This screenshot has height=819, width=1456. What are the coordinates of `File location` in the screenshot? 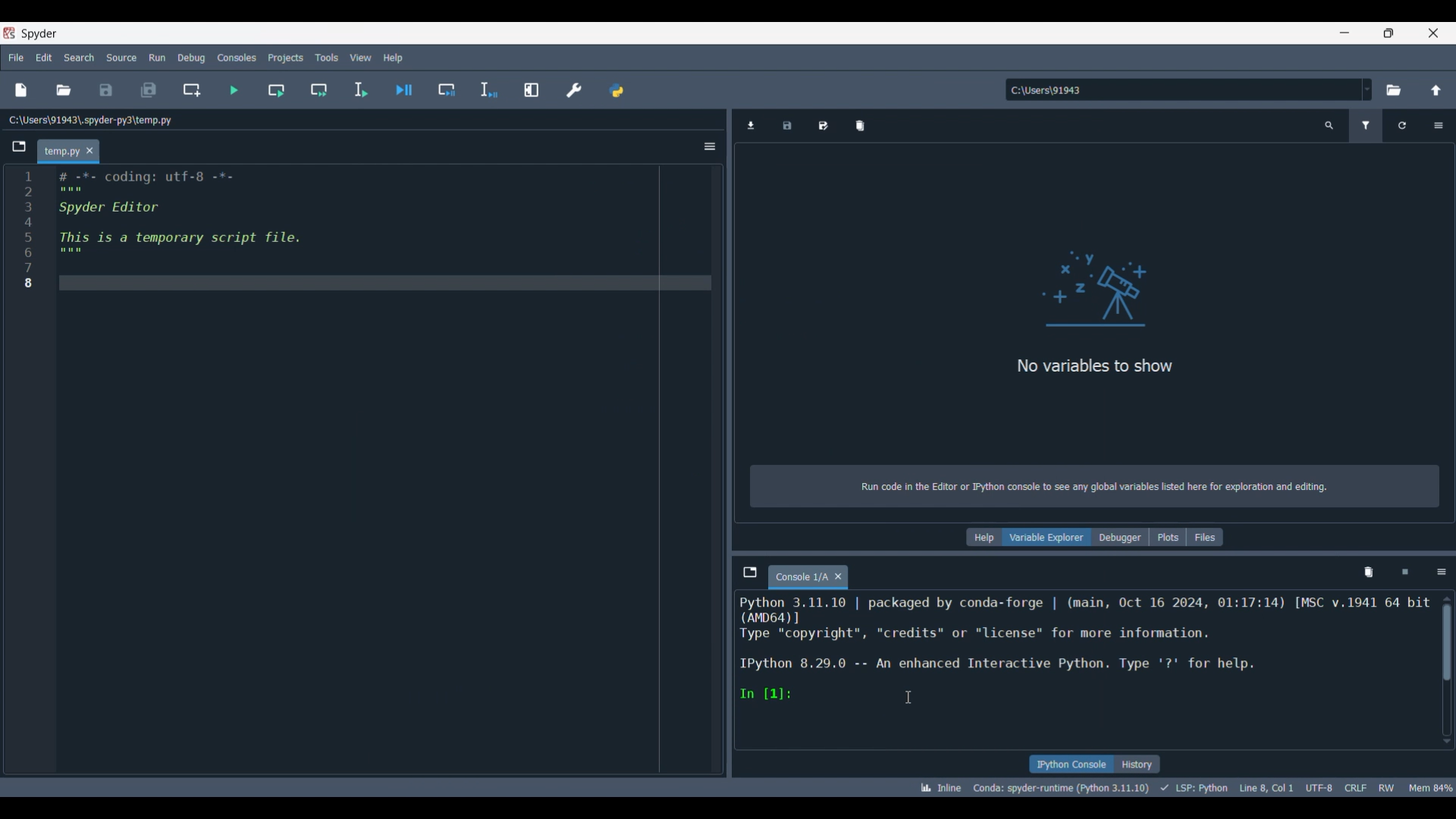 It's located at (89, 120).